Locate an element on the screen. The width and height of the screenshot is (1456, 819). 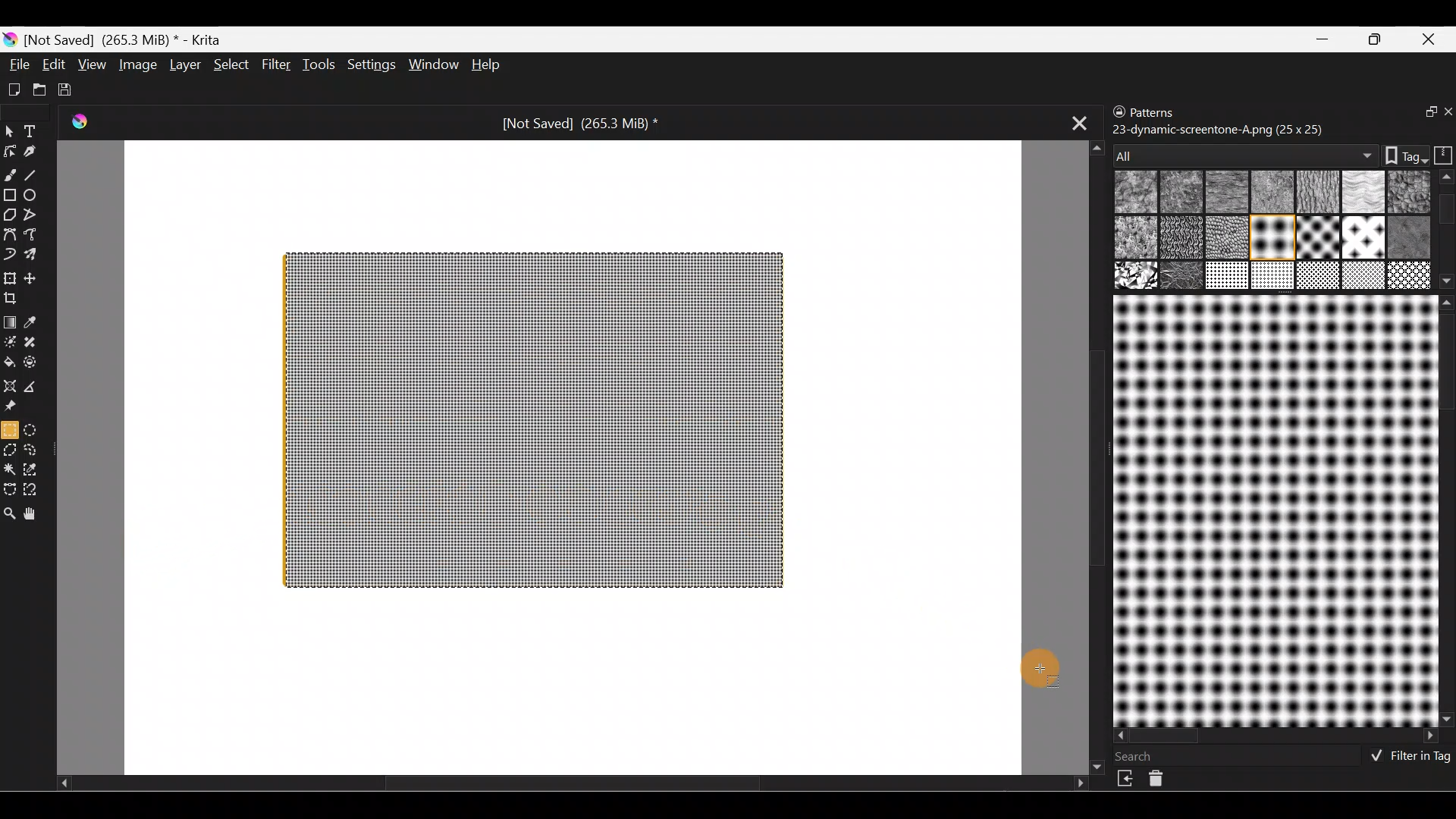
Scroll bar is located at coordinates (1446, 510).